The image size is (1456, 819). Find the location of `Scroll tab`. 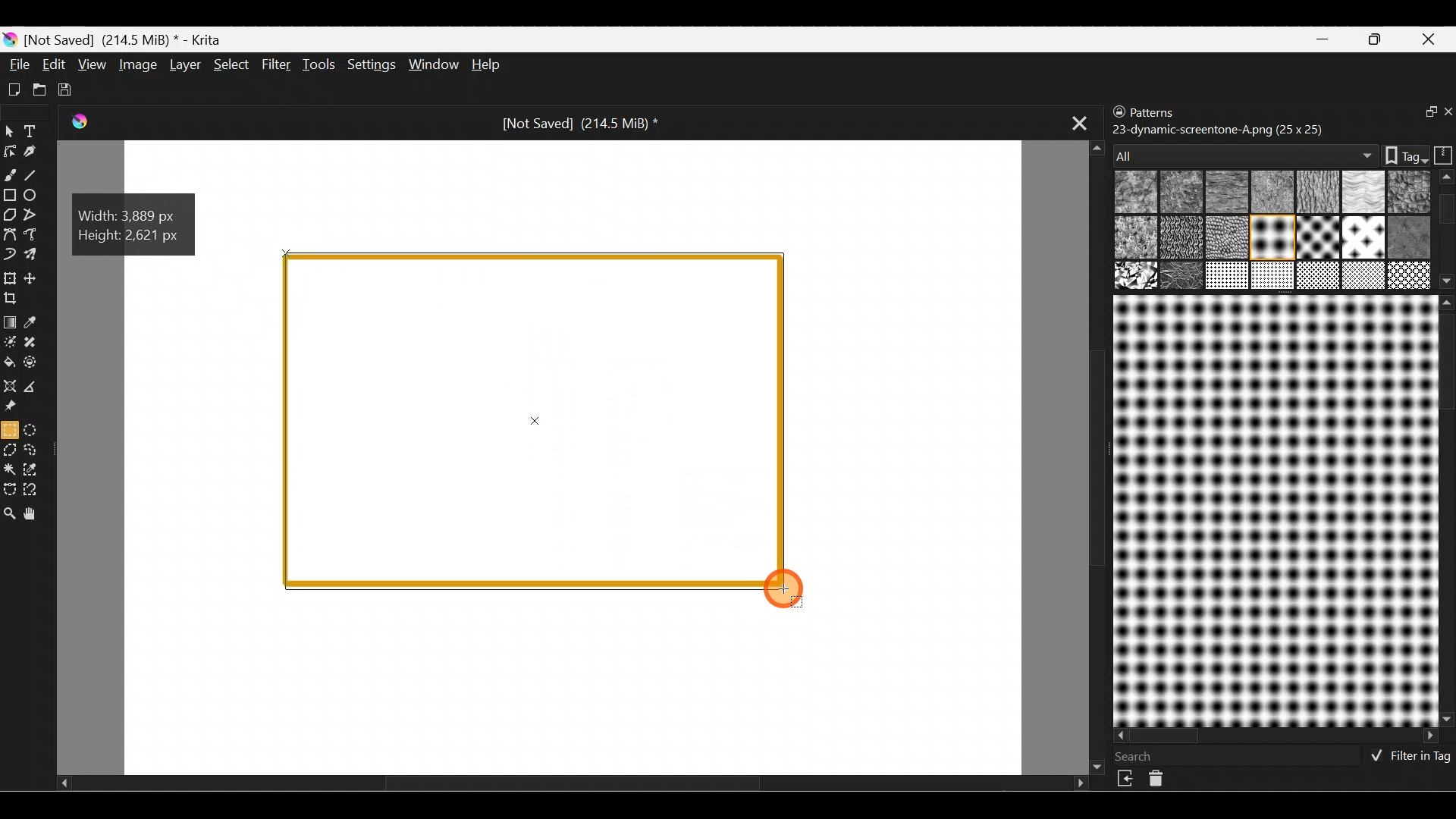

Scroll tab is located at coordinates (1090, 455).